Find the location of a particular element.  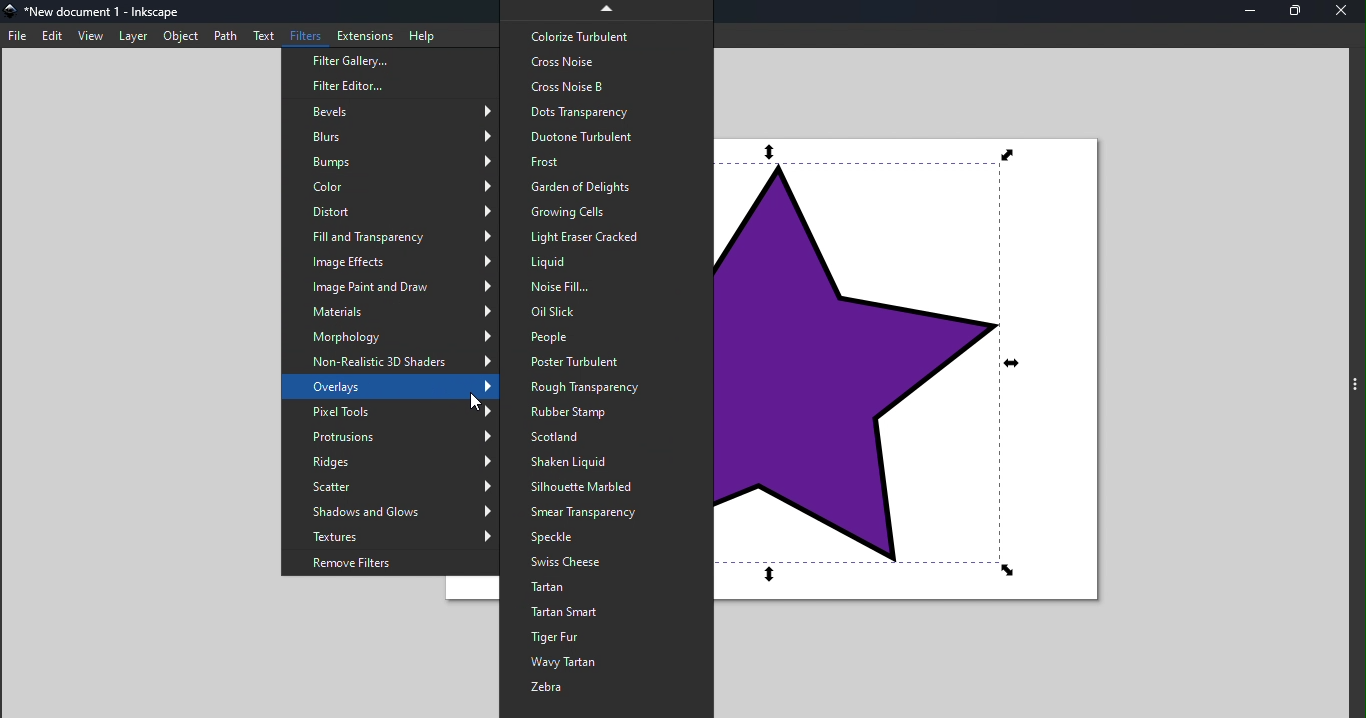

Pester turbulent is located at coordinates (604, 361).